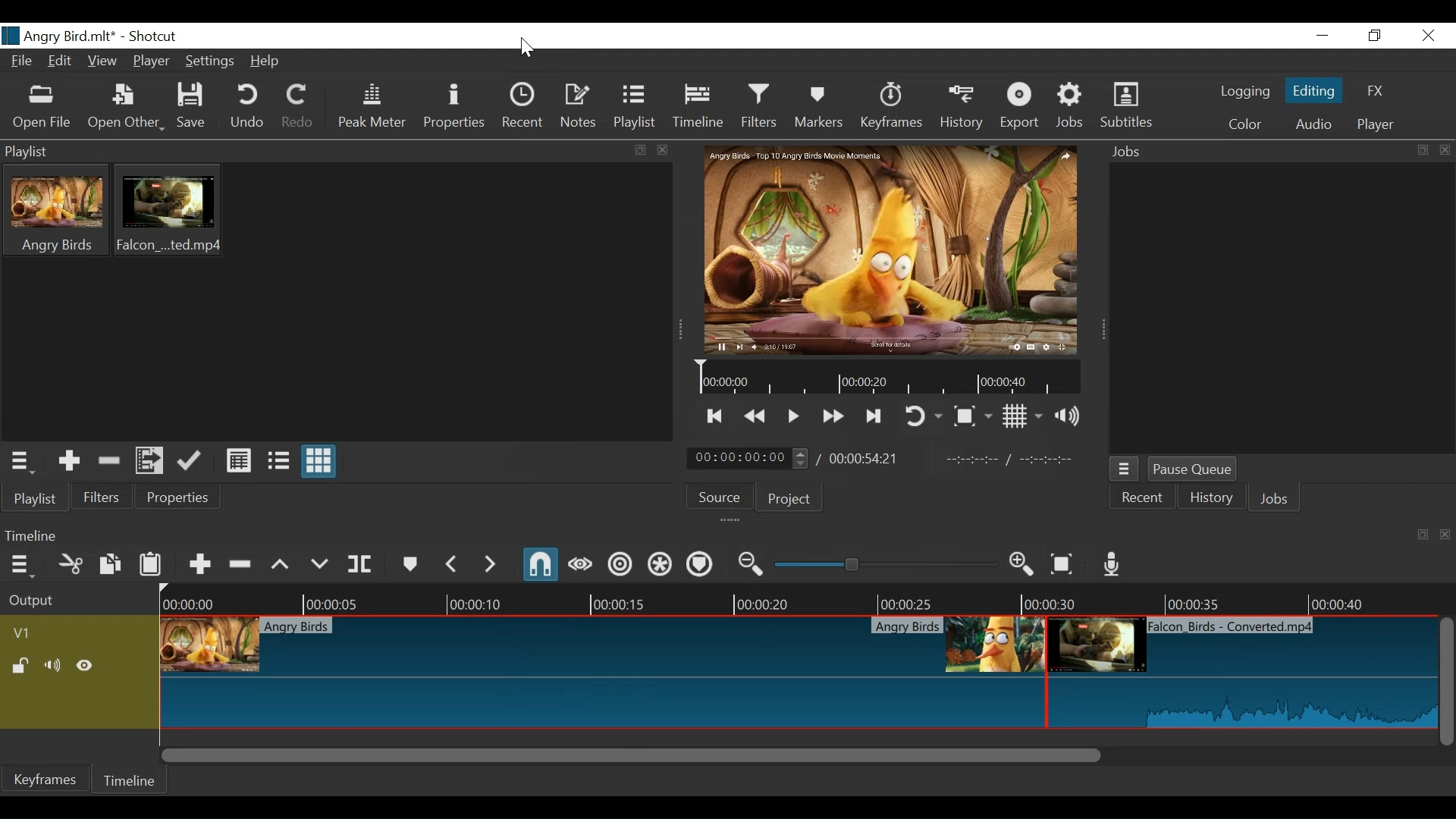 The height and width of the screenshot is (819, 1456). What do you see at coordinates (1313, 89) in the screenshot?
I see `Editing` at bounding box center [1313, 89].